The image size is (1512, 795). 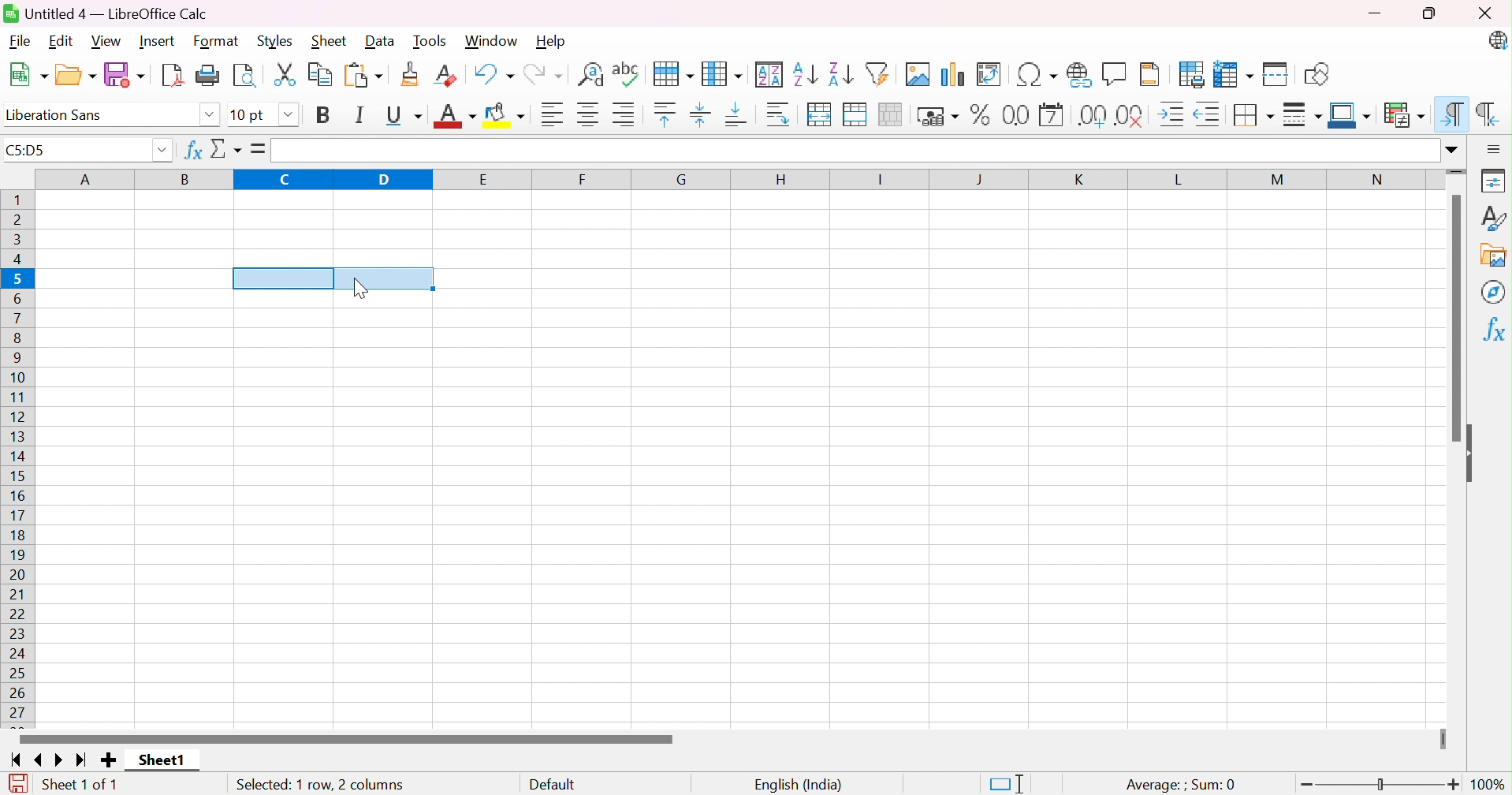 I want to click on Sort, so click(x=771, y=73).